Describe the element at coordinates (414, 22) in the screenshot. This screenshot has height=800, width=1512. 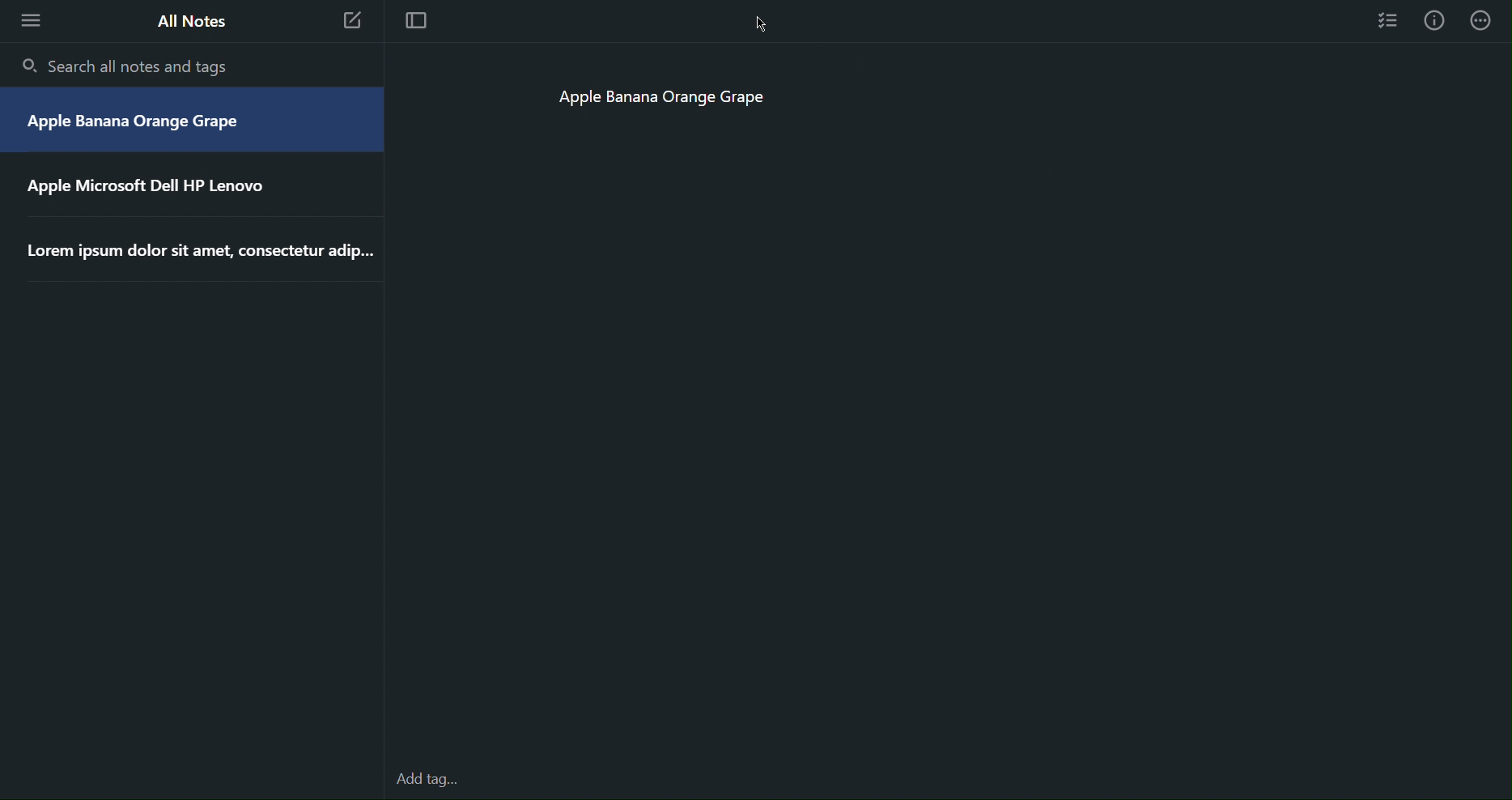
I see `Focus Mode` at that location.